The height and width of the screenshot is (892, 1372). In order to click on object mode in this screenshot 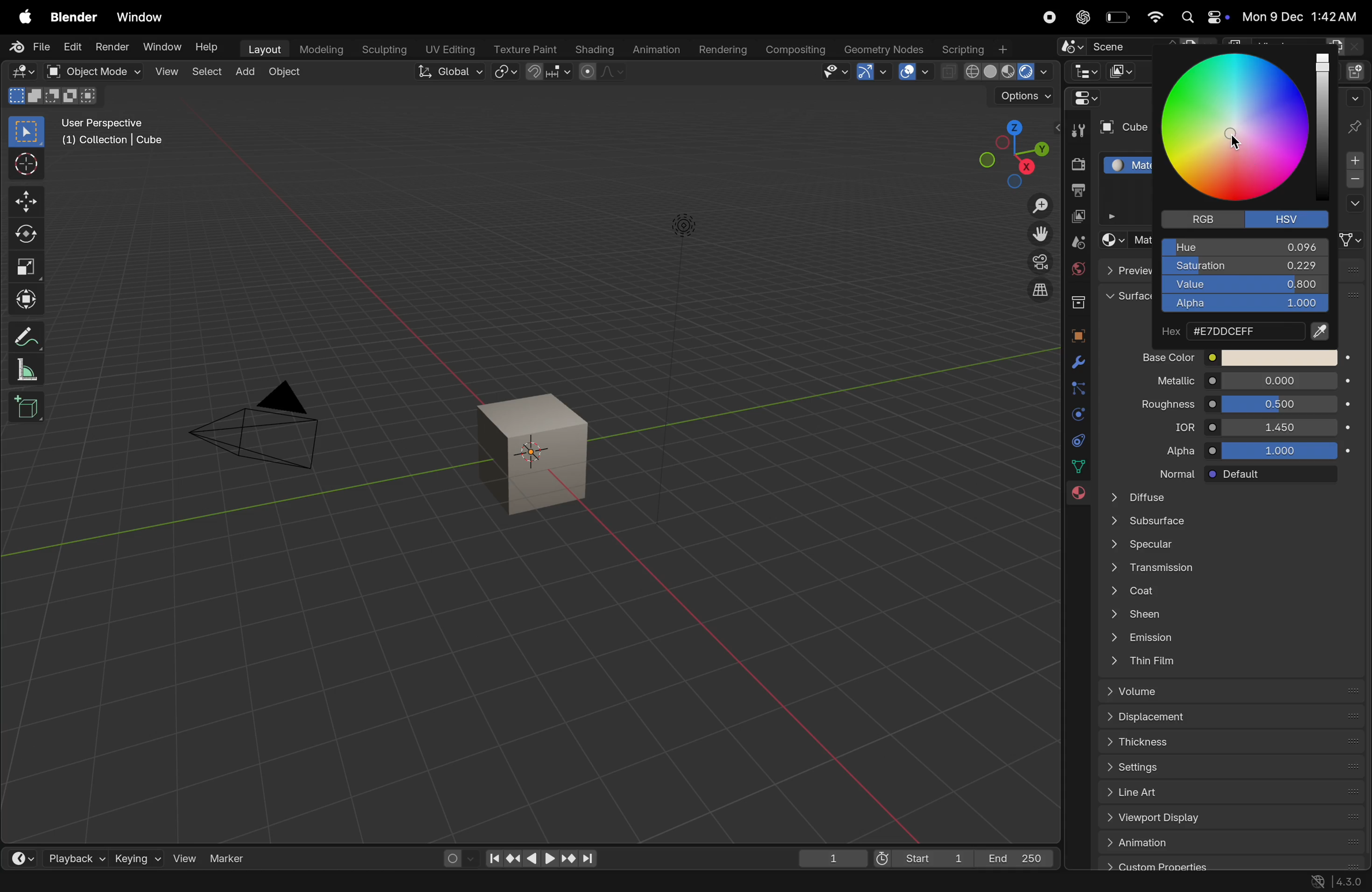, I will do `click(91, 71)`.